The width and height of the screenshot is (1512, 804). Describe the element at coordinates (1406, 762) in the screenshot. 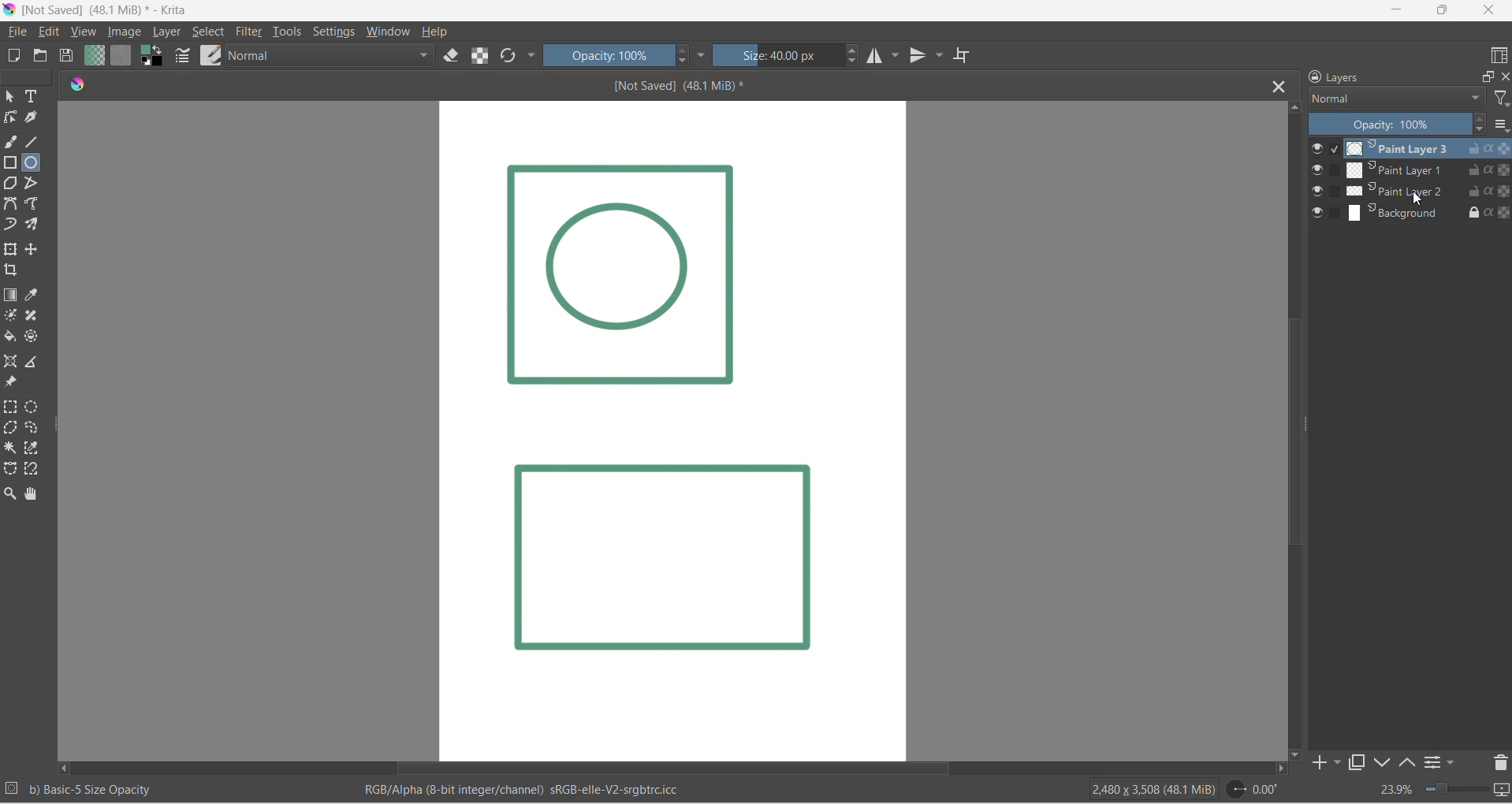

I see `move up` at that location.